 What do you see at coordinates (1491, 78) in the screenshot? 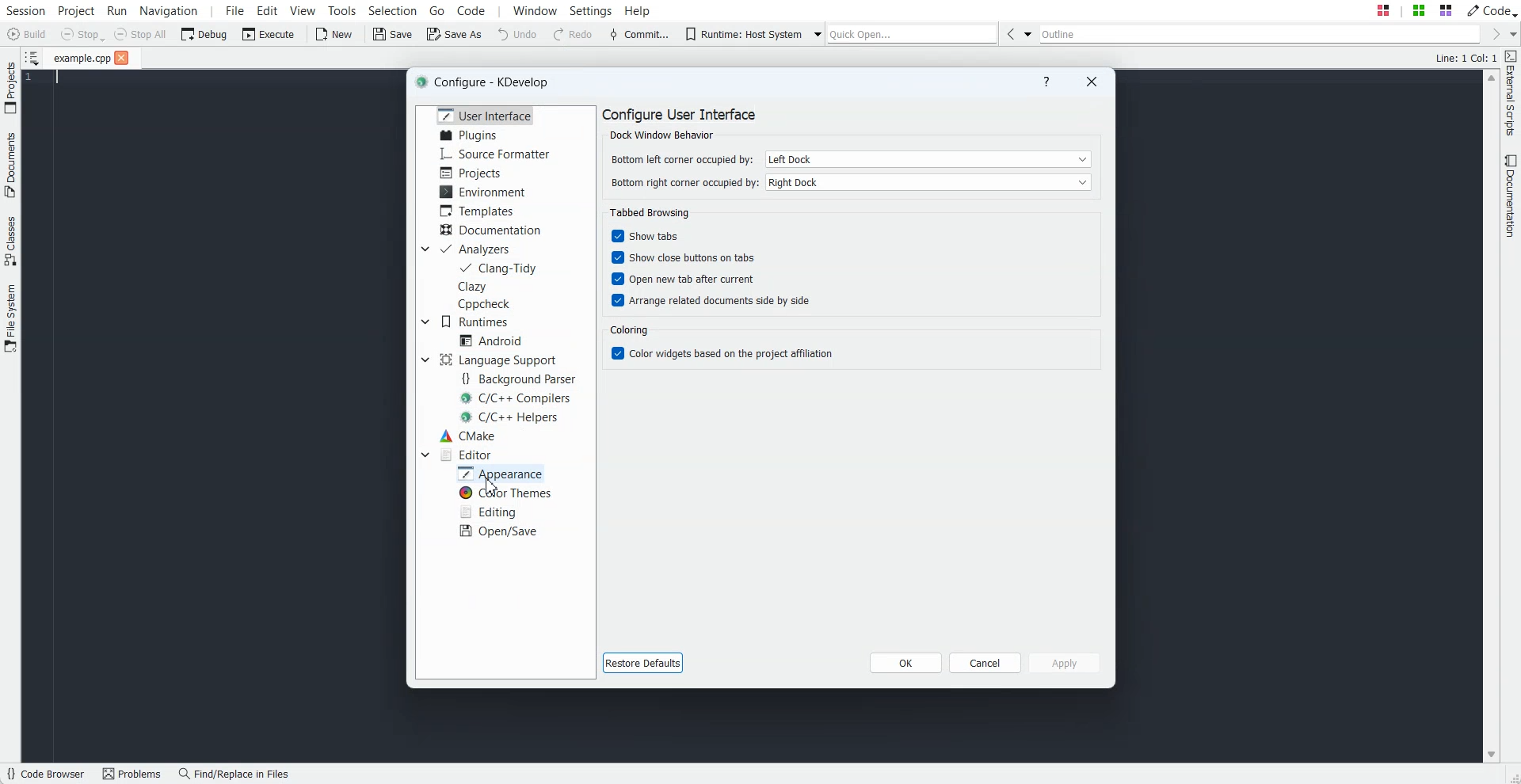
I see `Scroll up` at bounding box center [1491, 78].